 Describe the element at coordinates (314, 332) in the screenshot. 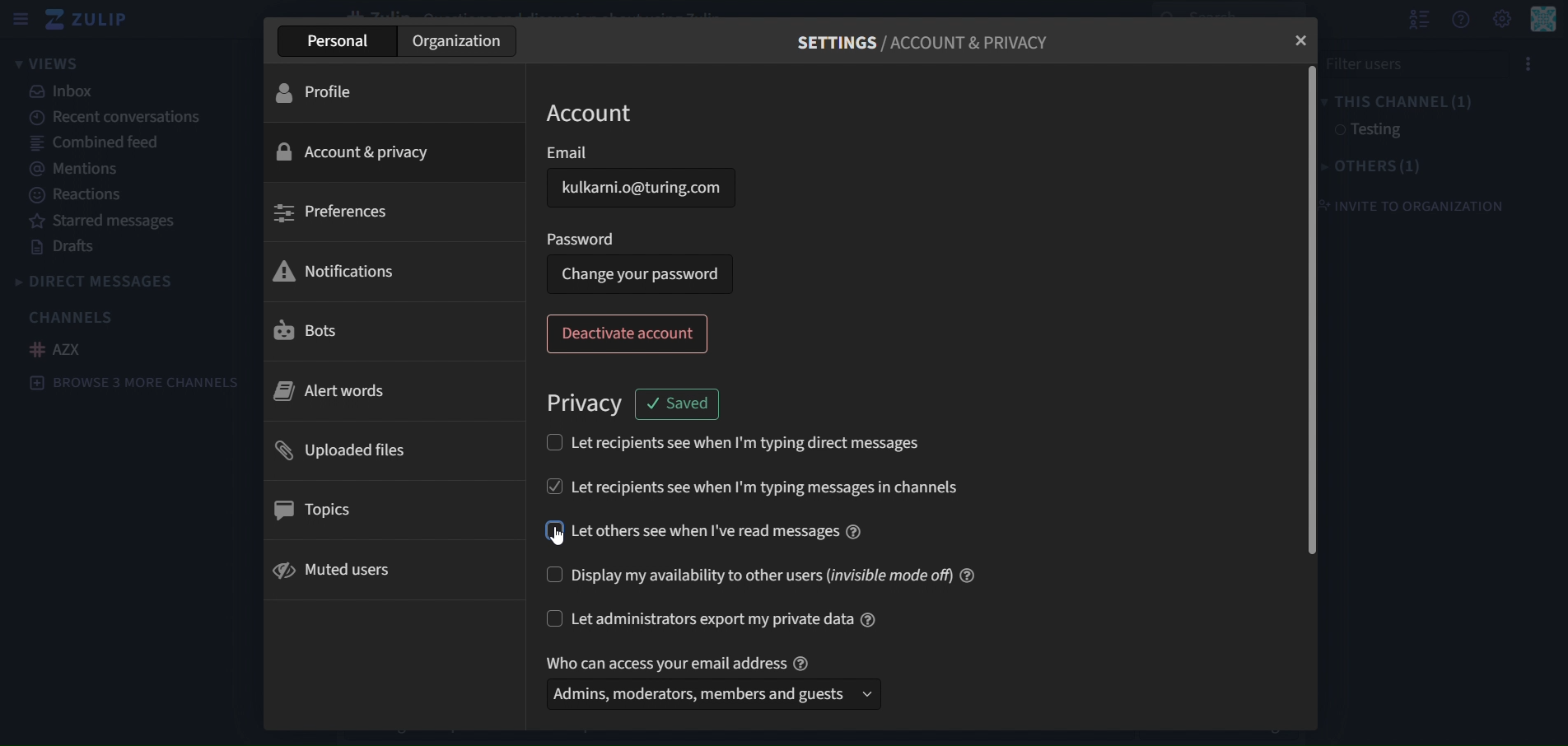

I see `bots` at that location.